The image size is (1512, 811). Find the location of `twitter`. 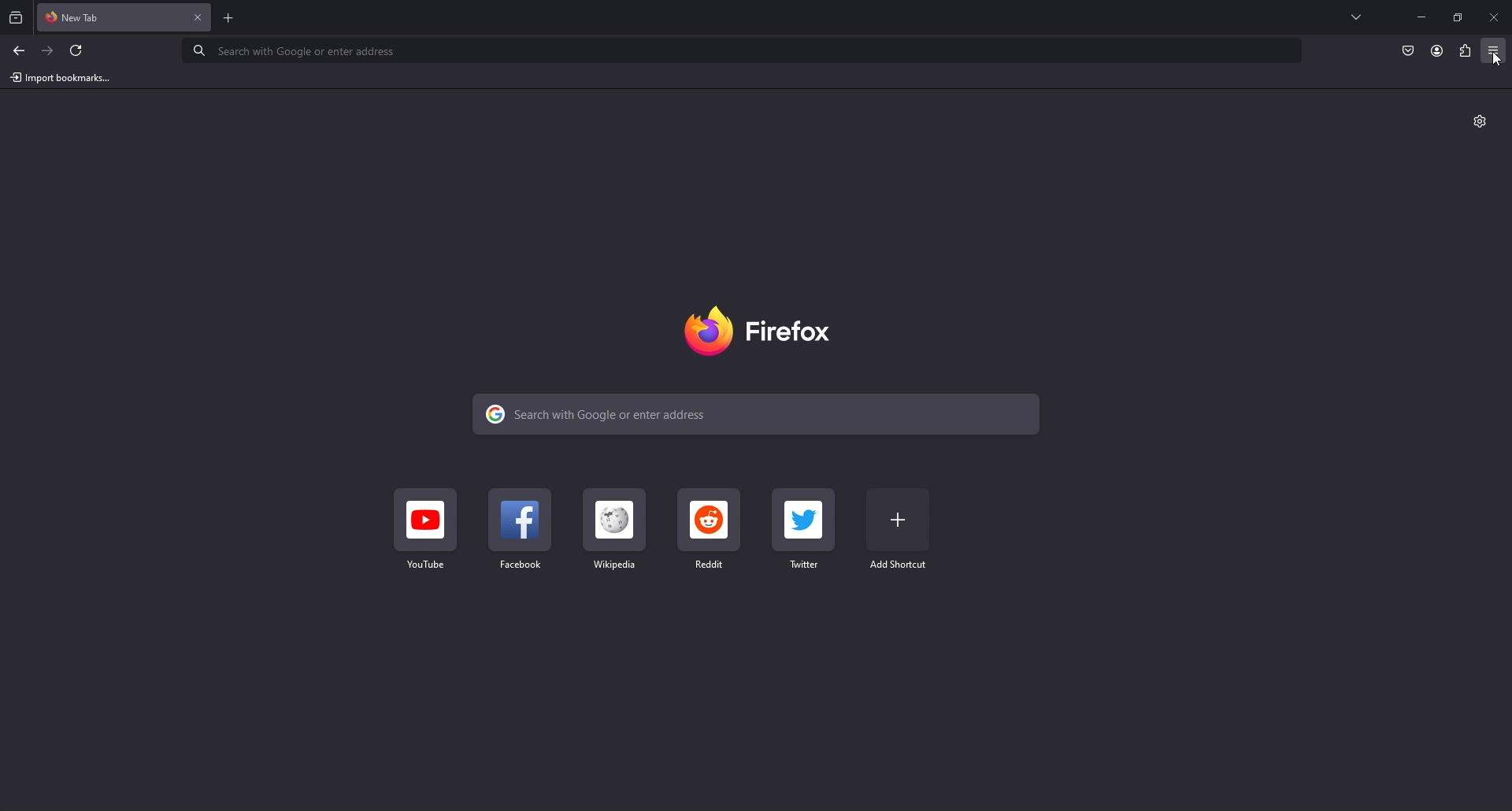

twitter is located at coordinates (806, 529).